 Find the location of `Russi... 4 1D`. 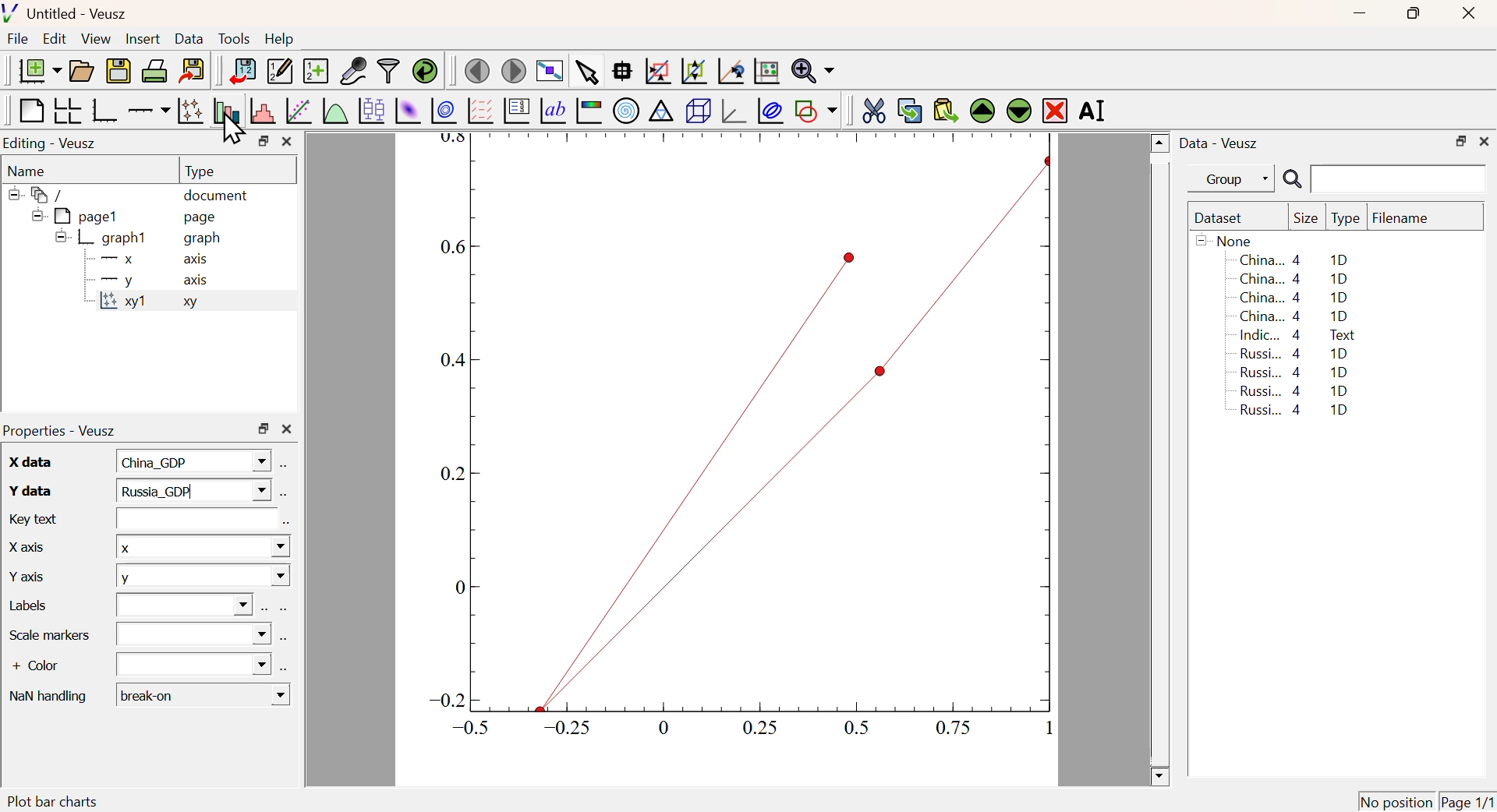

Russi... 4 1D is located at coordinates (1291, 390).